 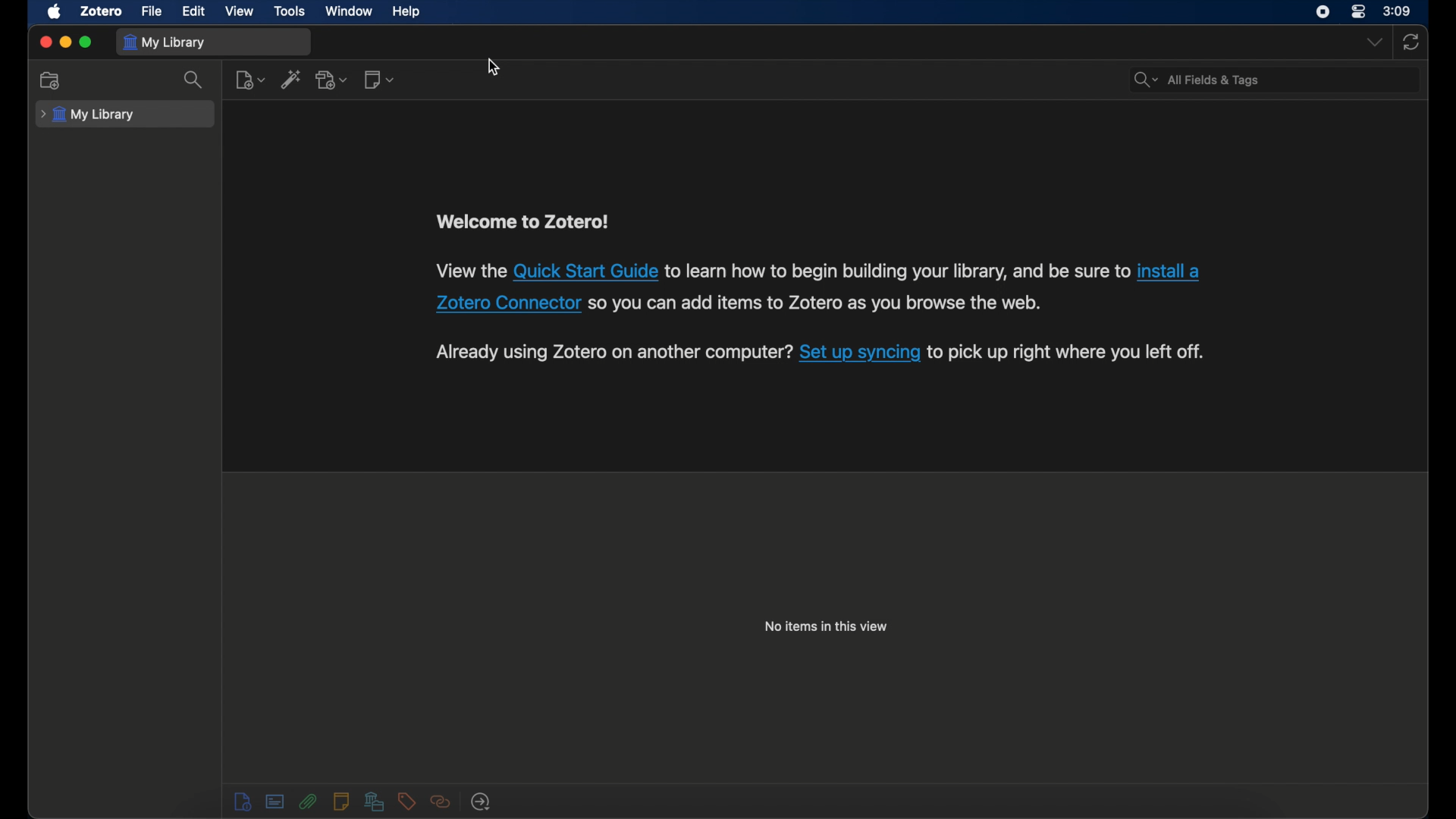 I want to click on new item, so click(x=249, y=79).